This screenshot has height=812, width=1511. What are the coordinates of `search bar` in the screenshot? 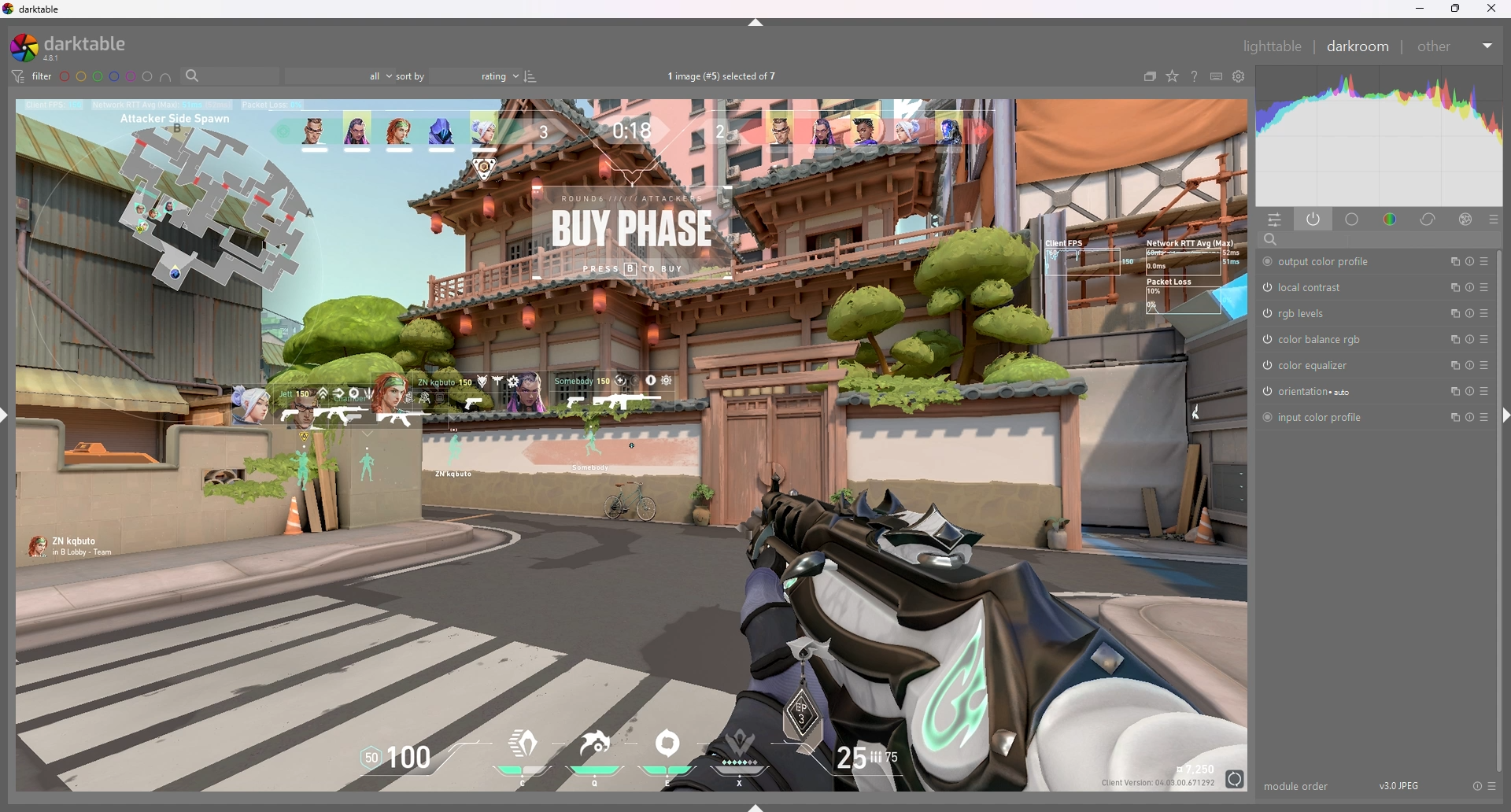 It's located at (230, 76).